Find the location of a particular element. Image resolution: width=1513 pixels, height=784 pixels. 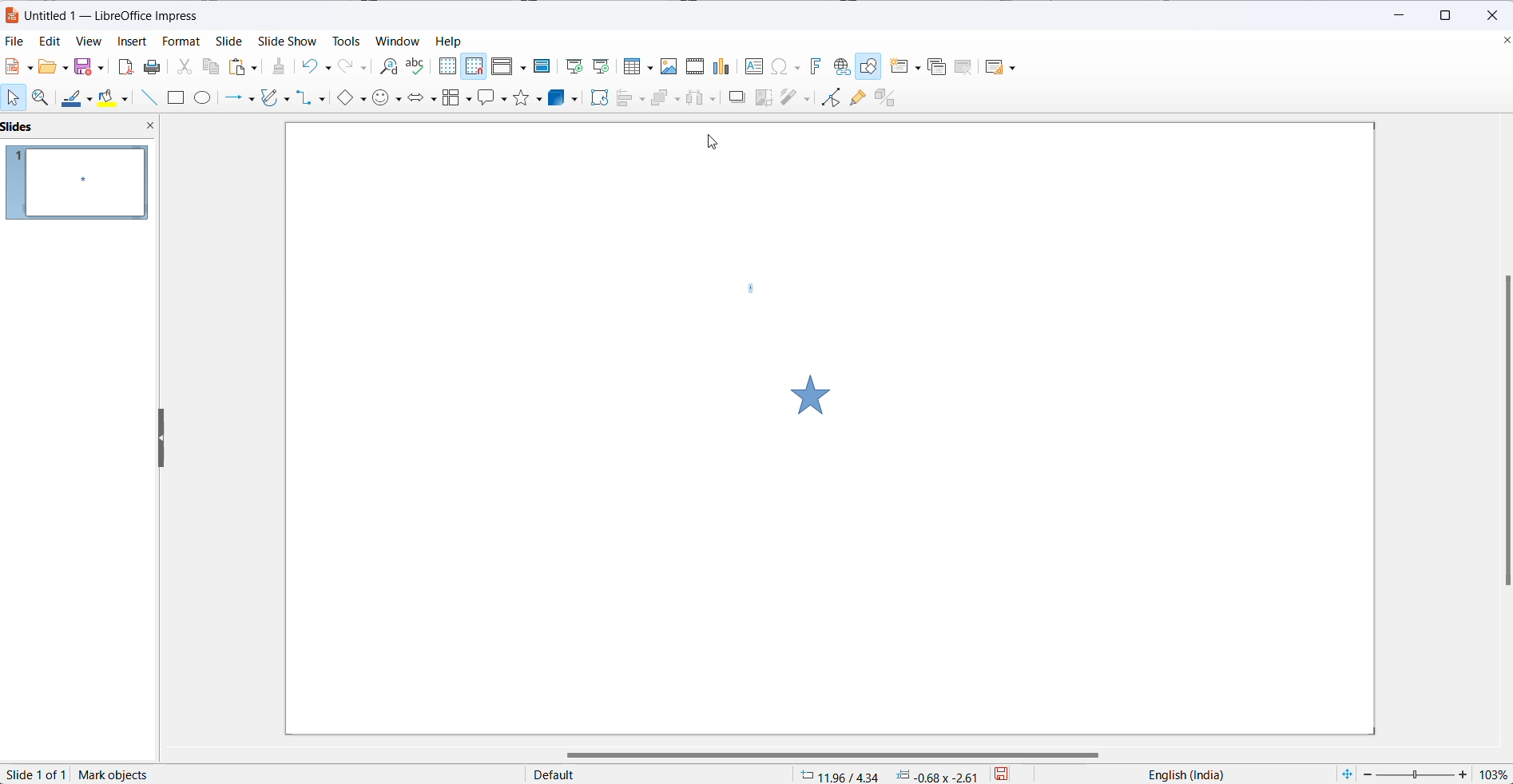

slide preview is located at coordinates (77, 184).